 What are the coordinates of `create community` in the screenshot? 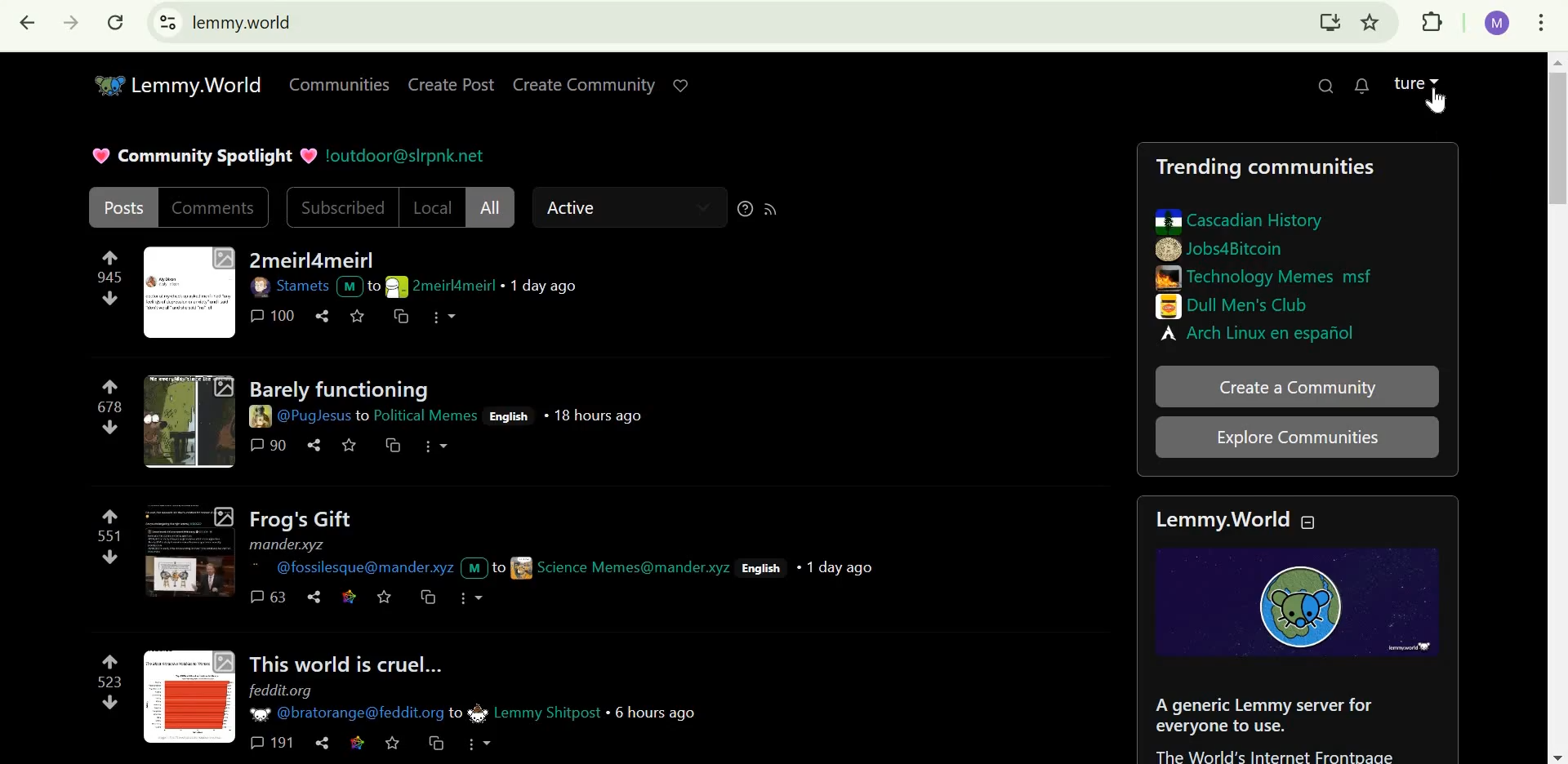 It's located at (584, 86).